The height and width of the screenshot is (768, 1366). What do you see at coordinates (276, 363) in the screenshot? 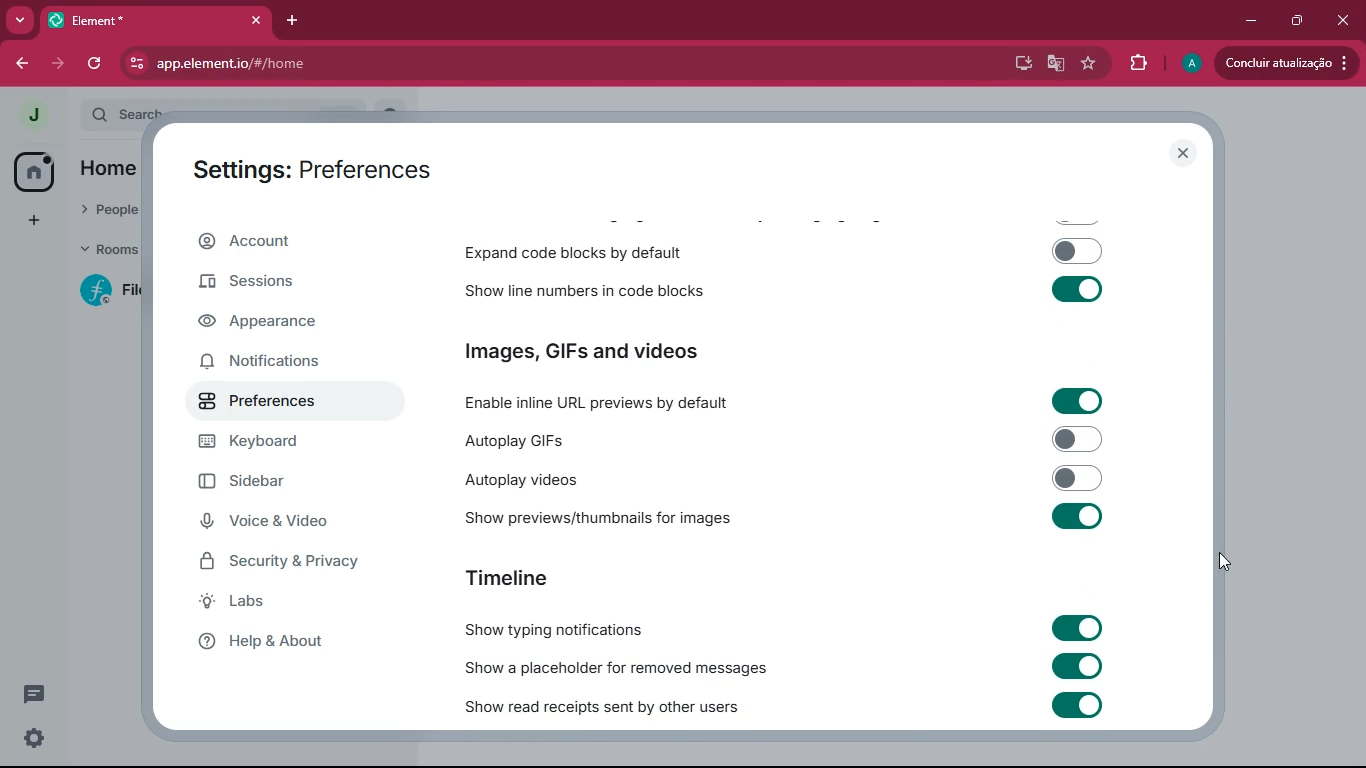
I see `notifications` at bounding box center [276, 363].